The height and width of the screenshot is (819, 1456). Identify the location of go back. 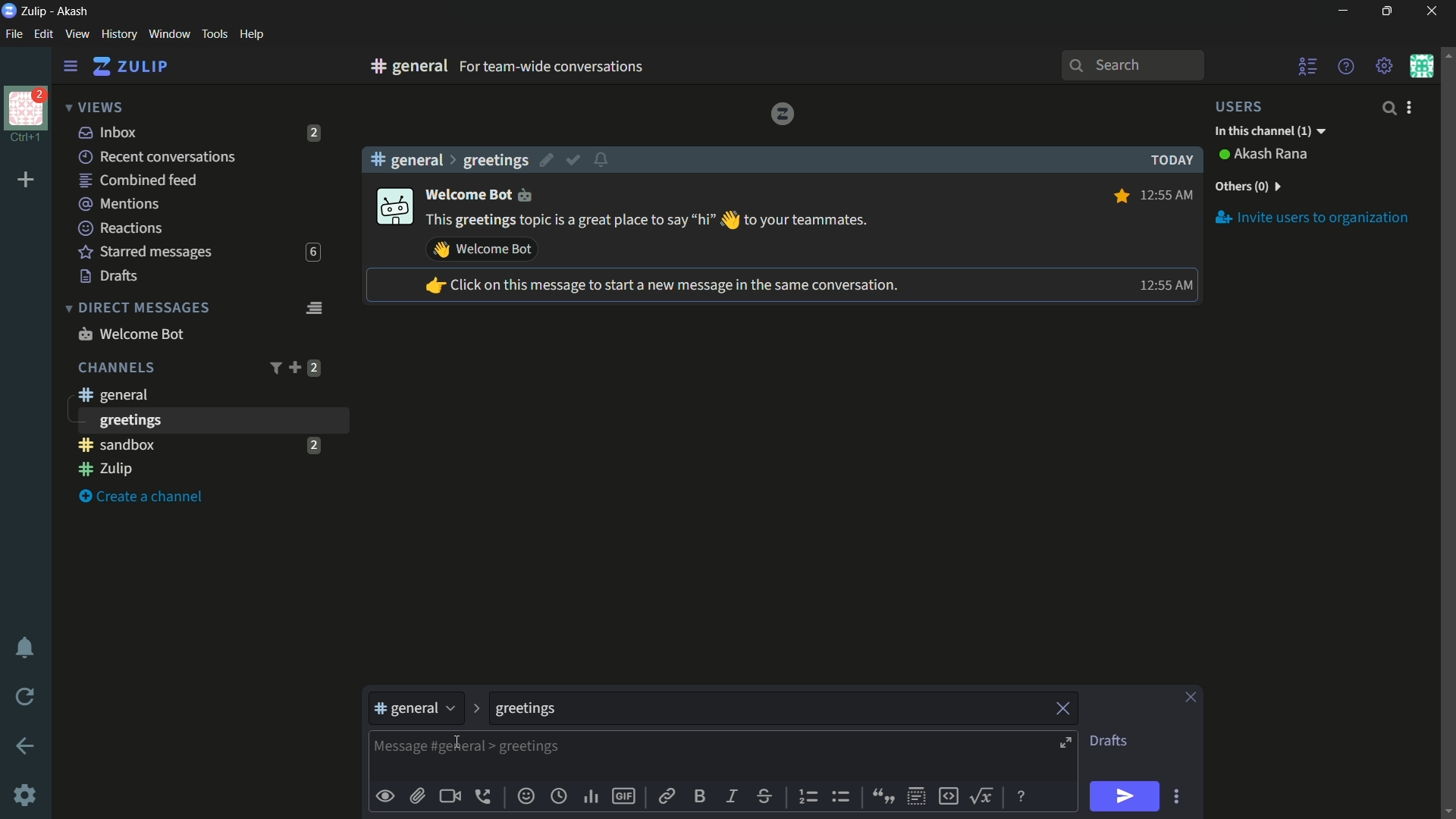
(26, 747).